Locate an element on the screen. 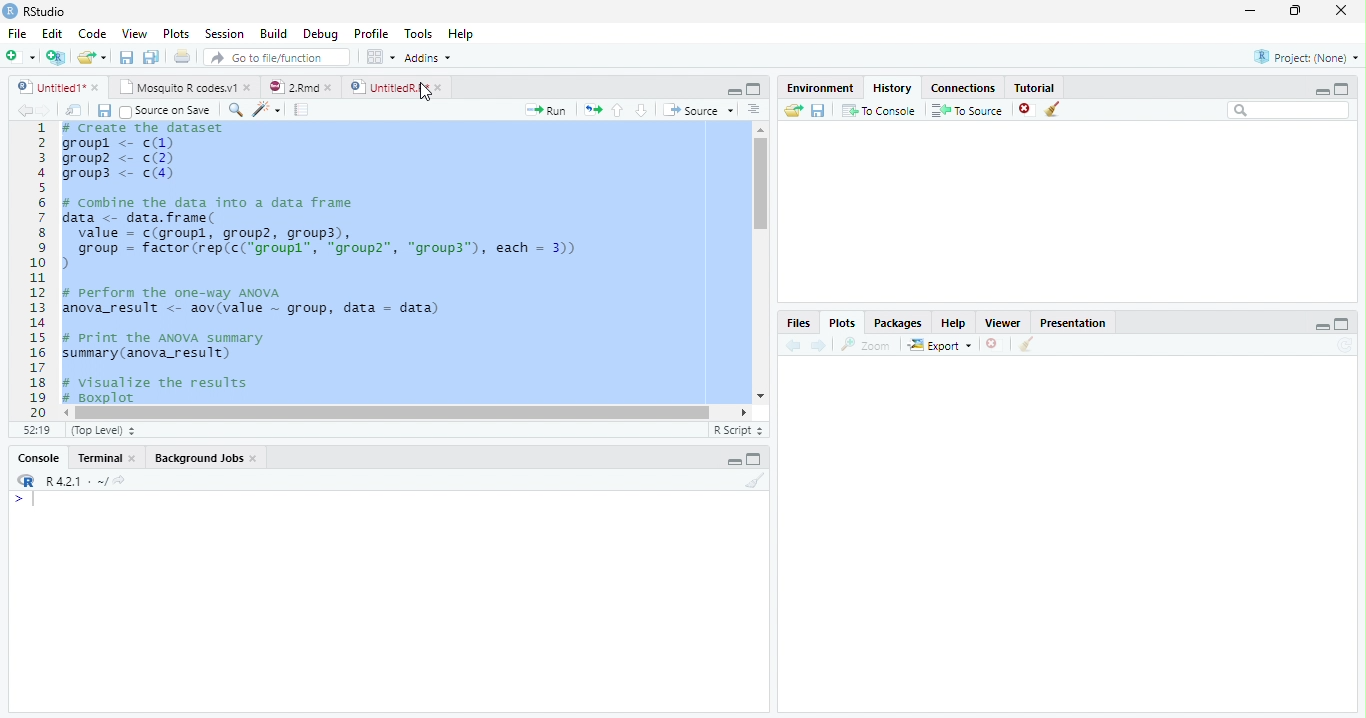 This screenshot has height=718, width=1366. Magic code is located at coordinates (267, 110).